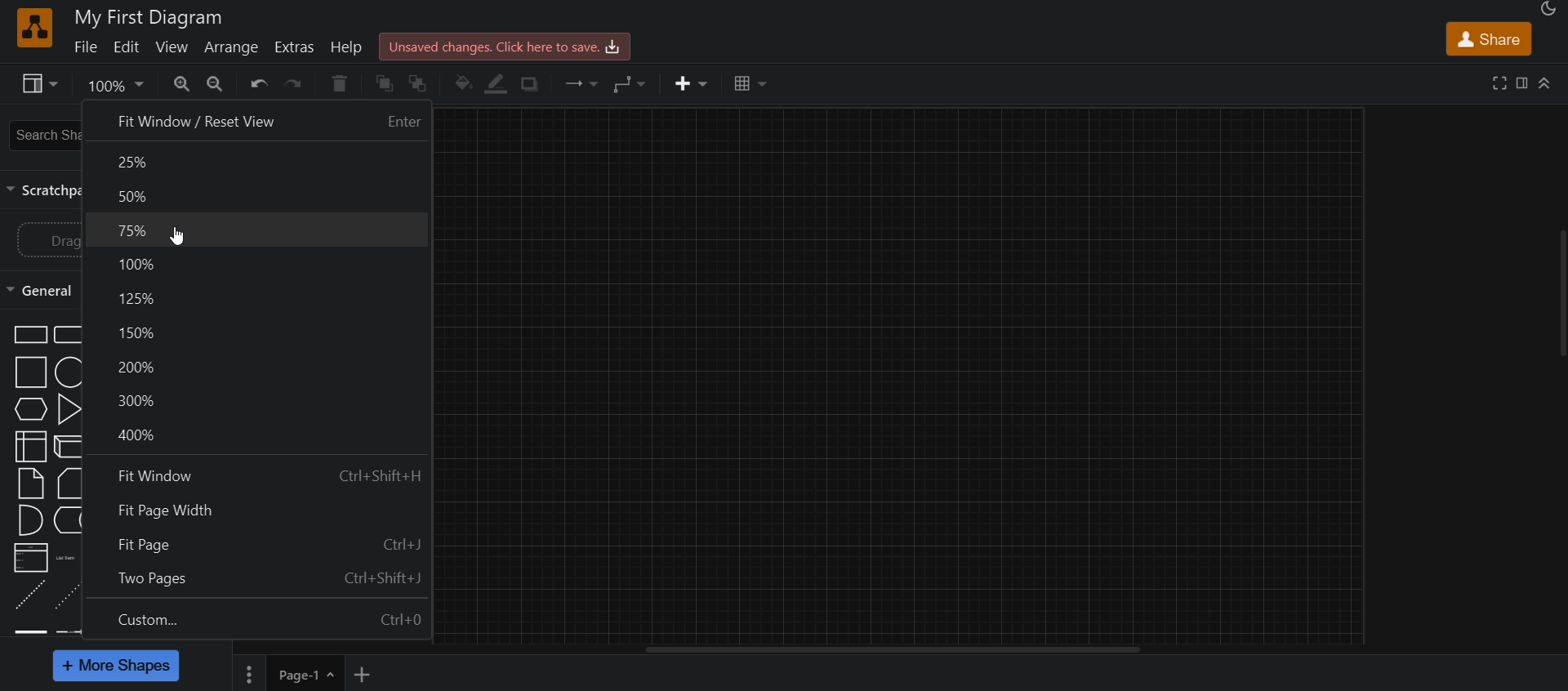 The height and width of the screenshot is (691, 1568). I want to click on redo, so click(298, 86).